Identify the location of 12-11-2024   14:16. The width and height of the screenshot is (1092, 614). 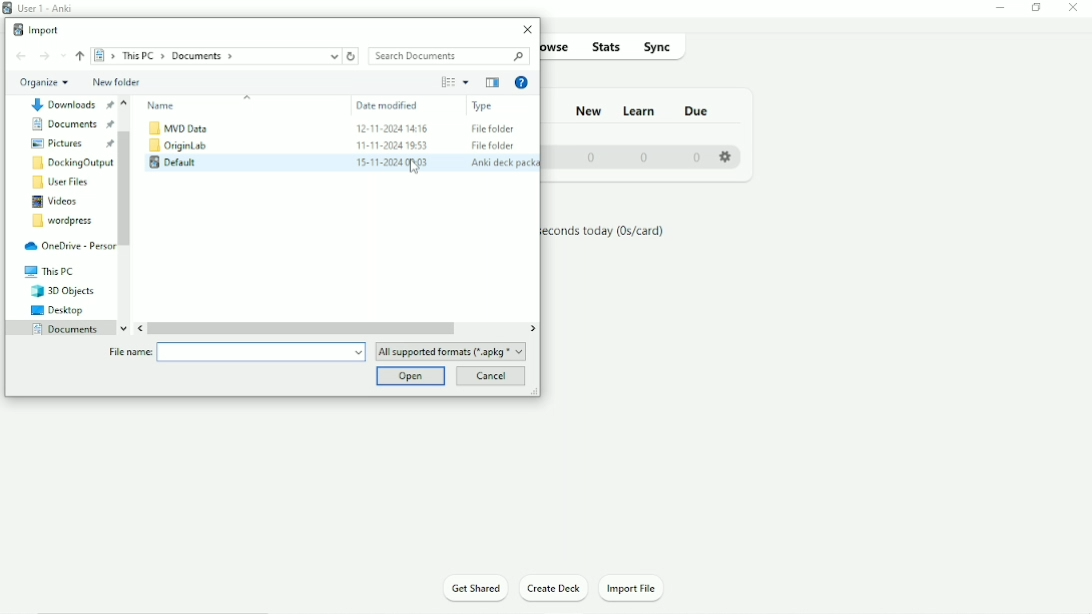
(391, 128).